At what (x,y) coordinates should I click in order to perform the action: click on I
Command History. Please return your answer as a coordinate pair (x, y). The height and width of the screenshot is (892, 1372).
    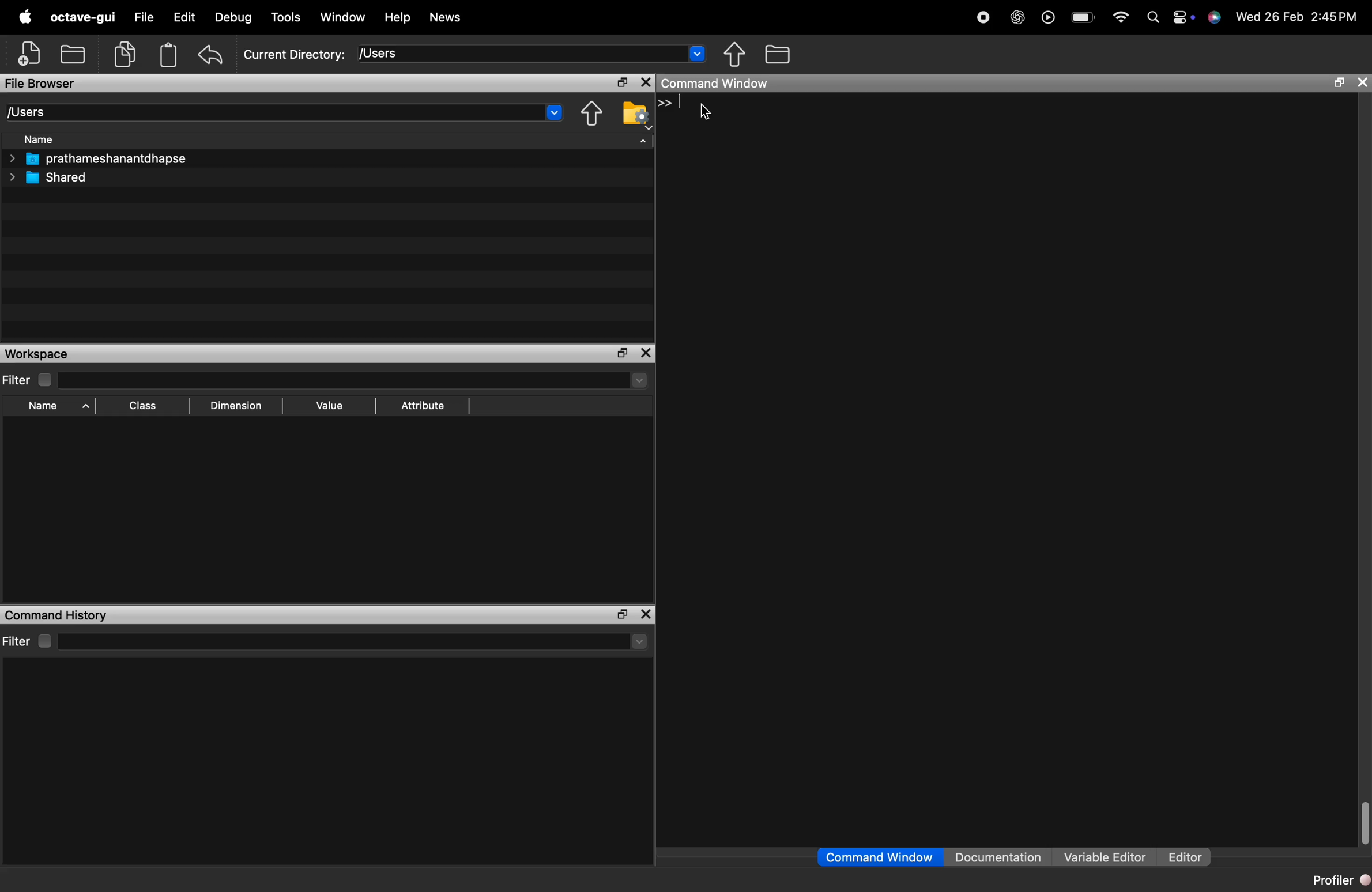
    Looking at the image, I should click on (63, 613).